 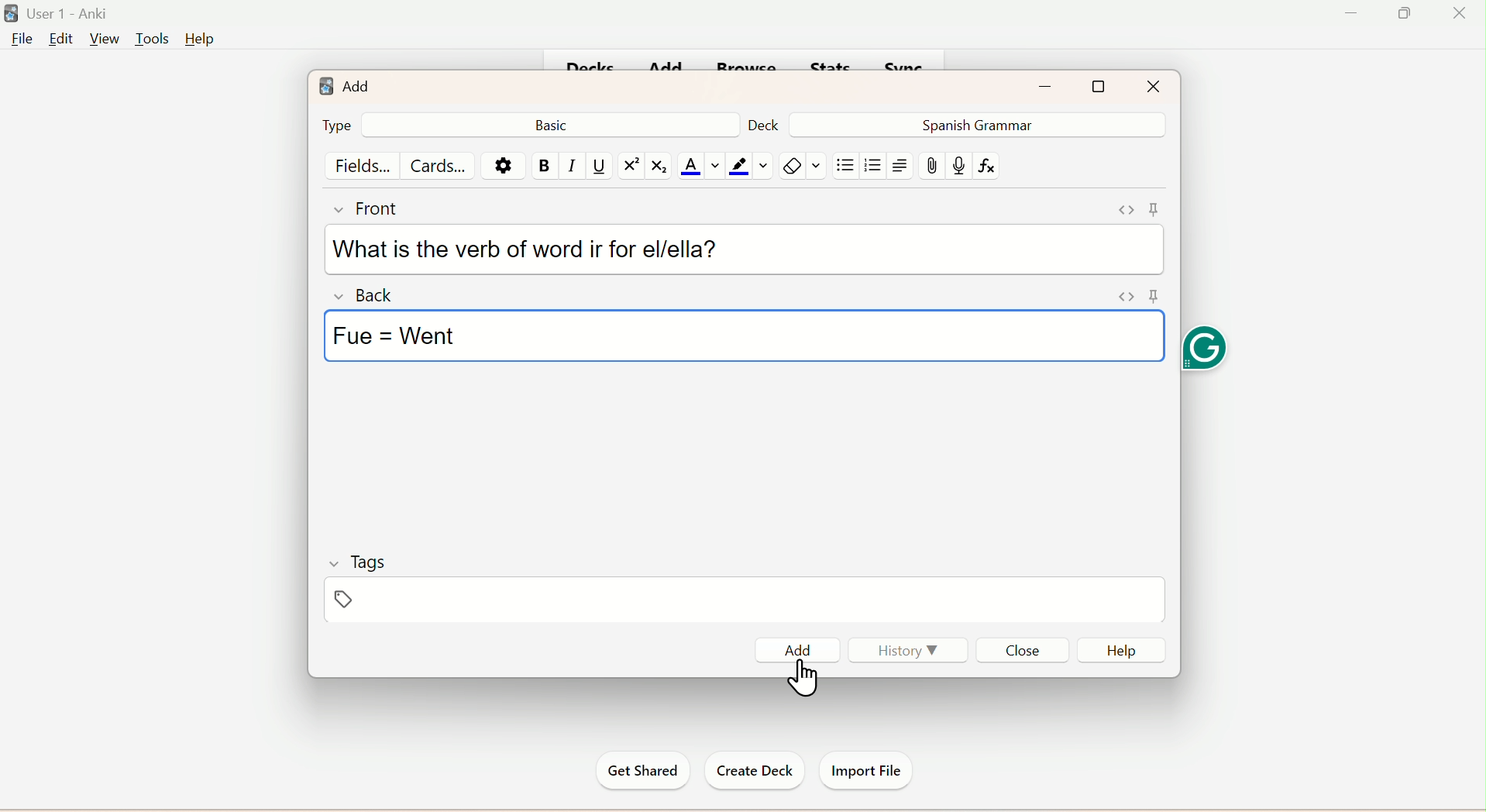 What do you see at coordinates (992, 167) in the screenshot?
I see `fx` at bounding box center [992, 167].